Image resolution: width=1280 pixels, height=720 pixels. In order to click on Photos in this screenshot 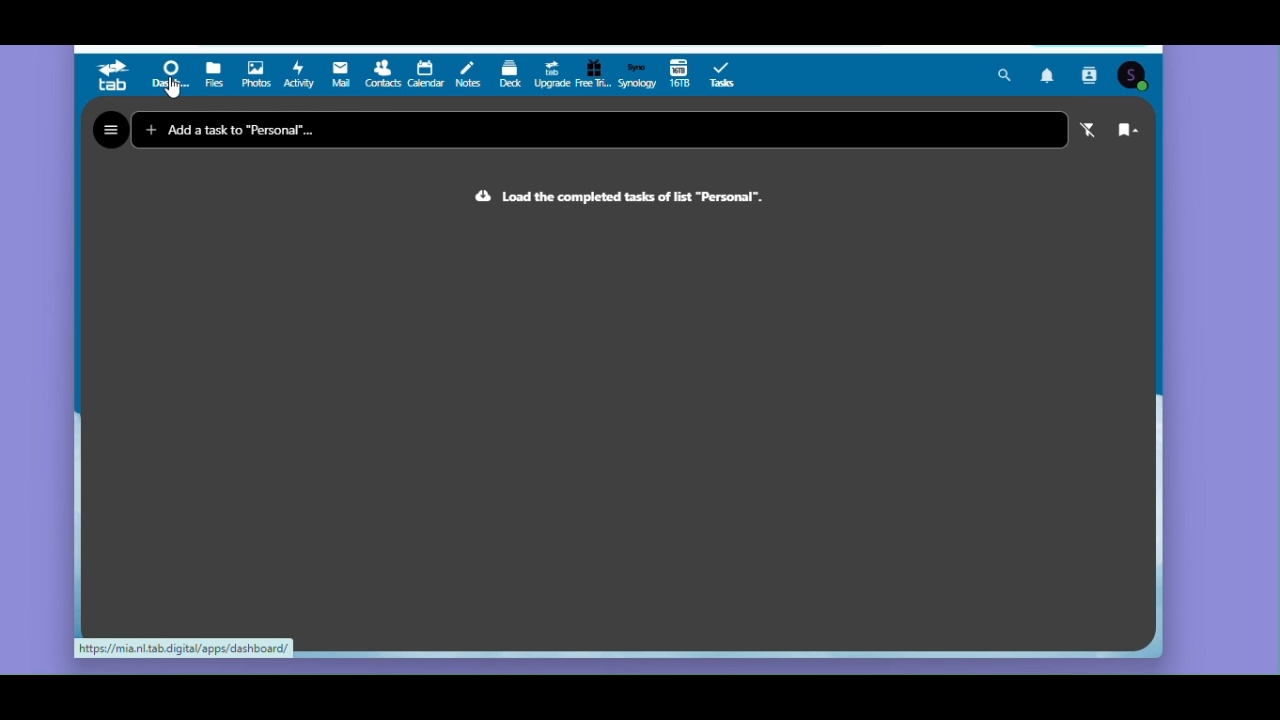, I will do `click(256, 75)`.